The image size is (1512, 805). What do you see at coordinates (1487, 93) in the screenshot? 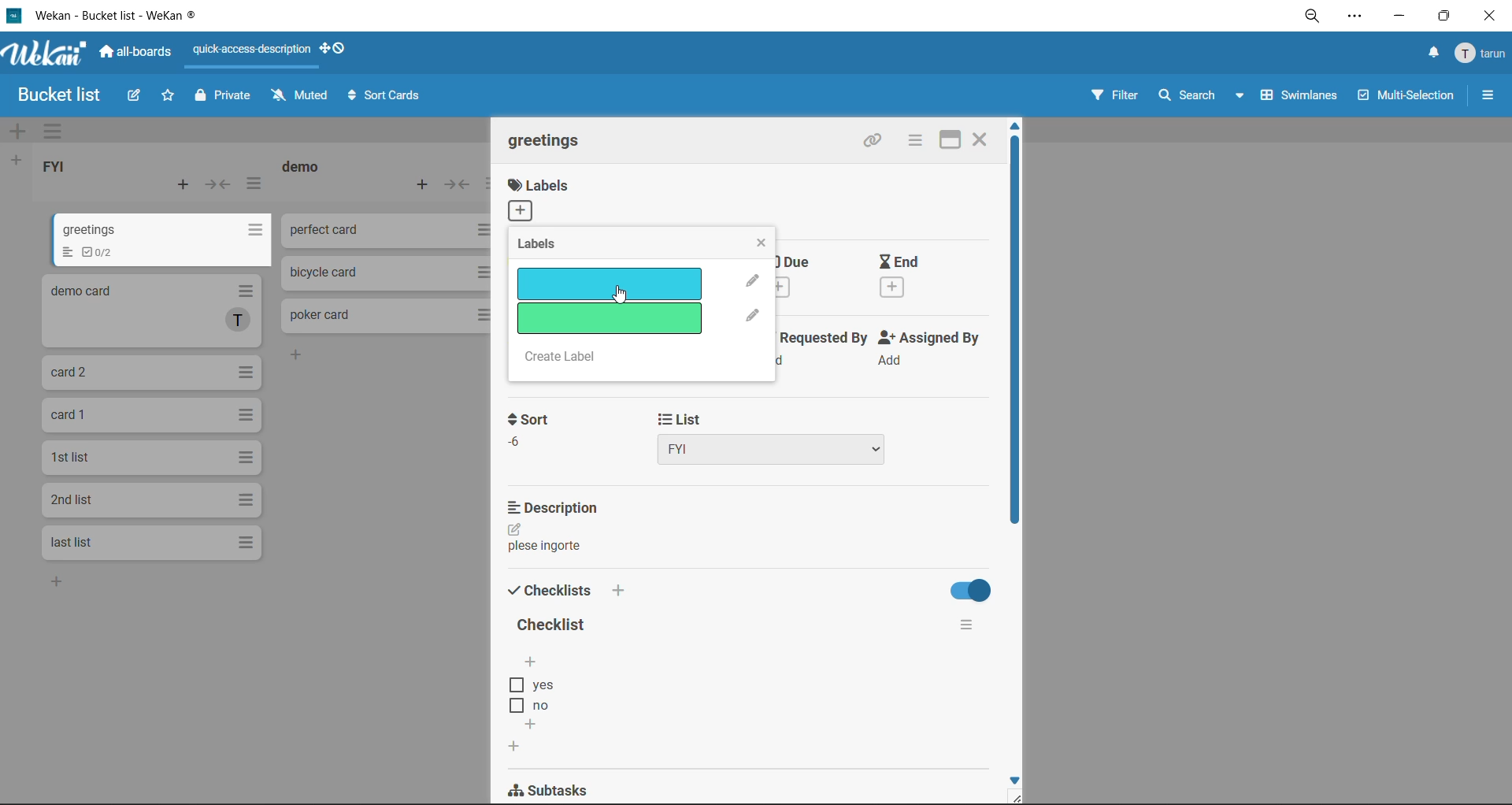
I see `sidebar` at bounding box center [1487, 93].